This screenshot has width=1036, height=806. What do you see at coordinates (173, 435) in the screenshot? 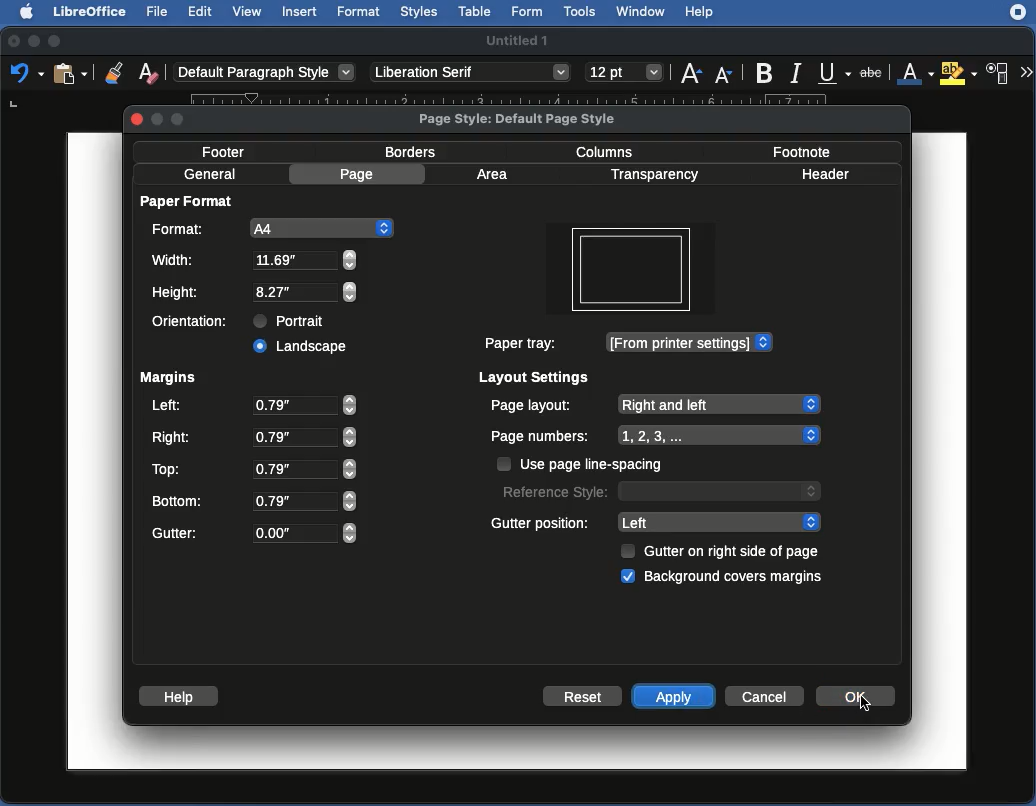
I see `Right` at bounding box center [173, 435].